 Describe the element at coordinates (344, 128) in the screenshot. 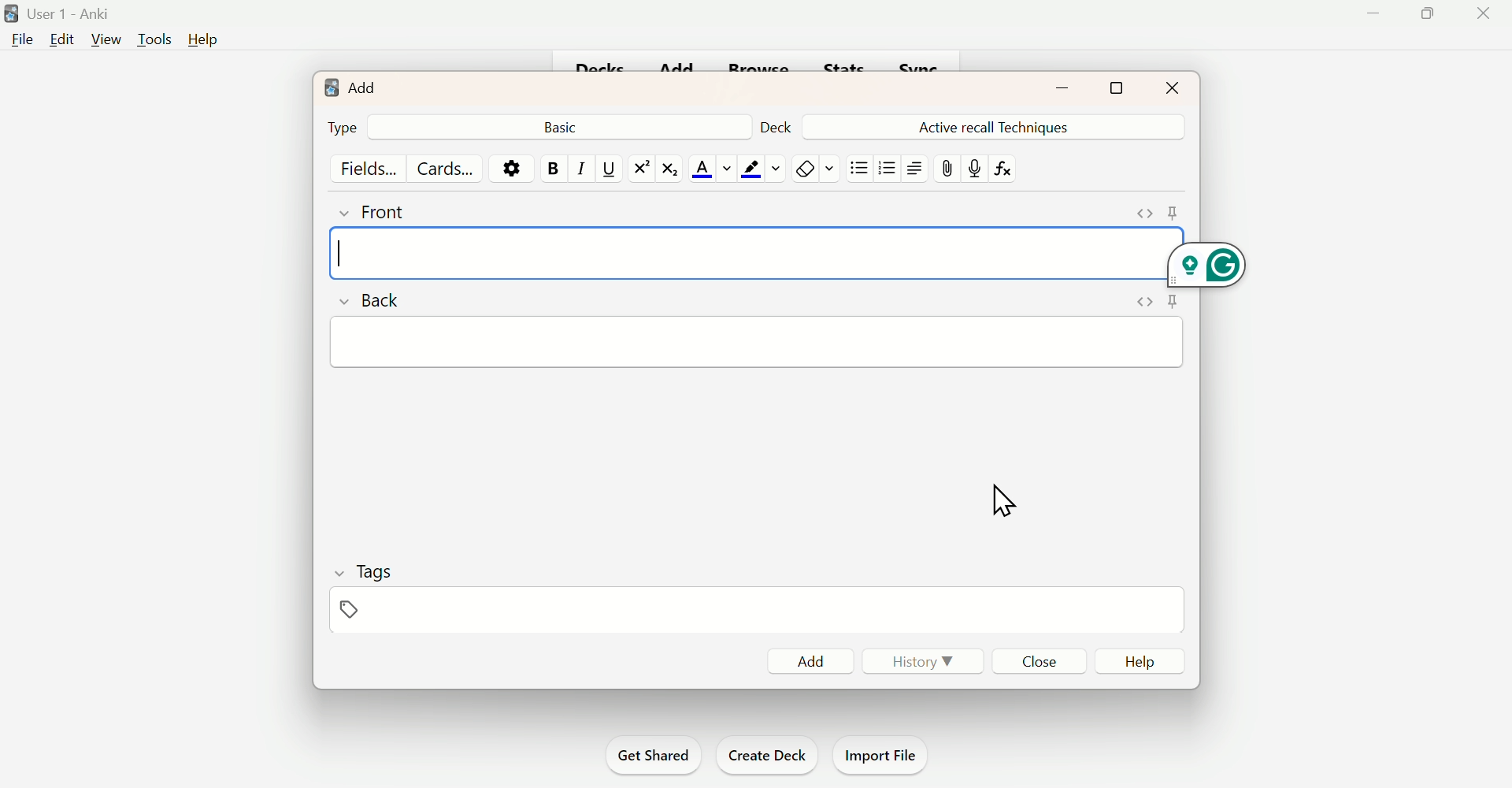

I see `Type` at that location.